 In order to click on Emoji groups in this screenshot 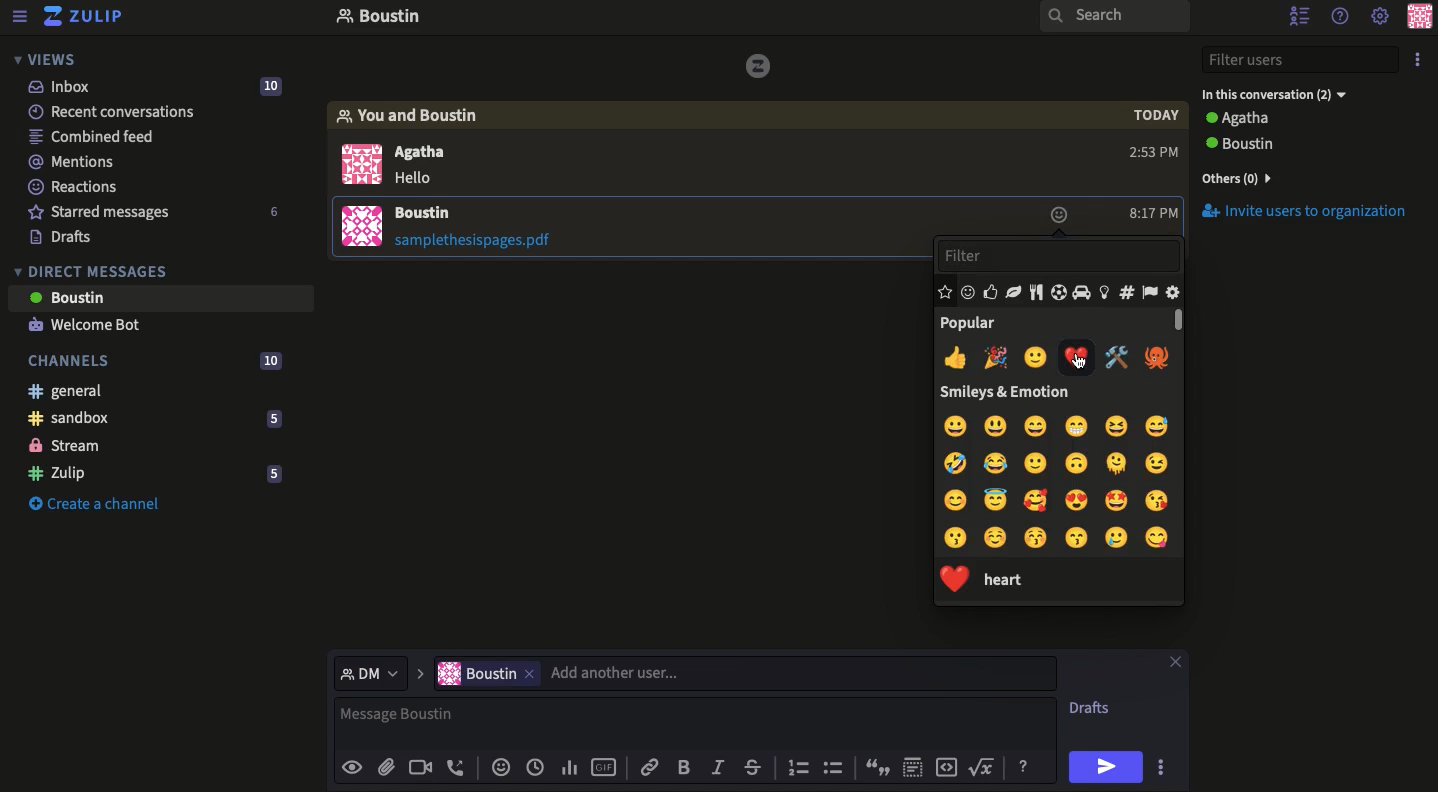, I will do `click(1058, 292)`.